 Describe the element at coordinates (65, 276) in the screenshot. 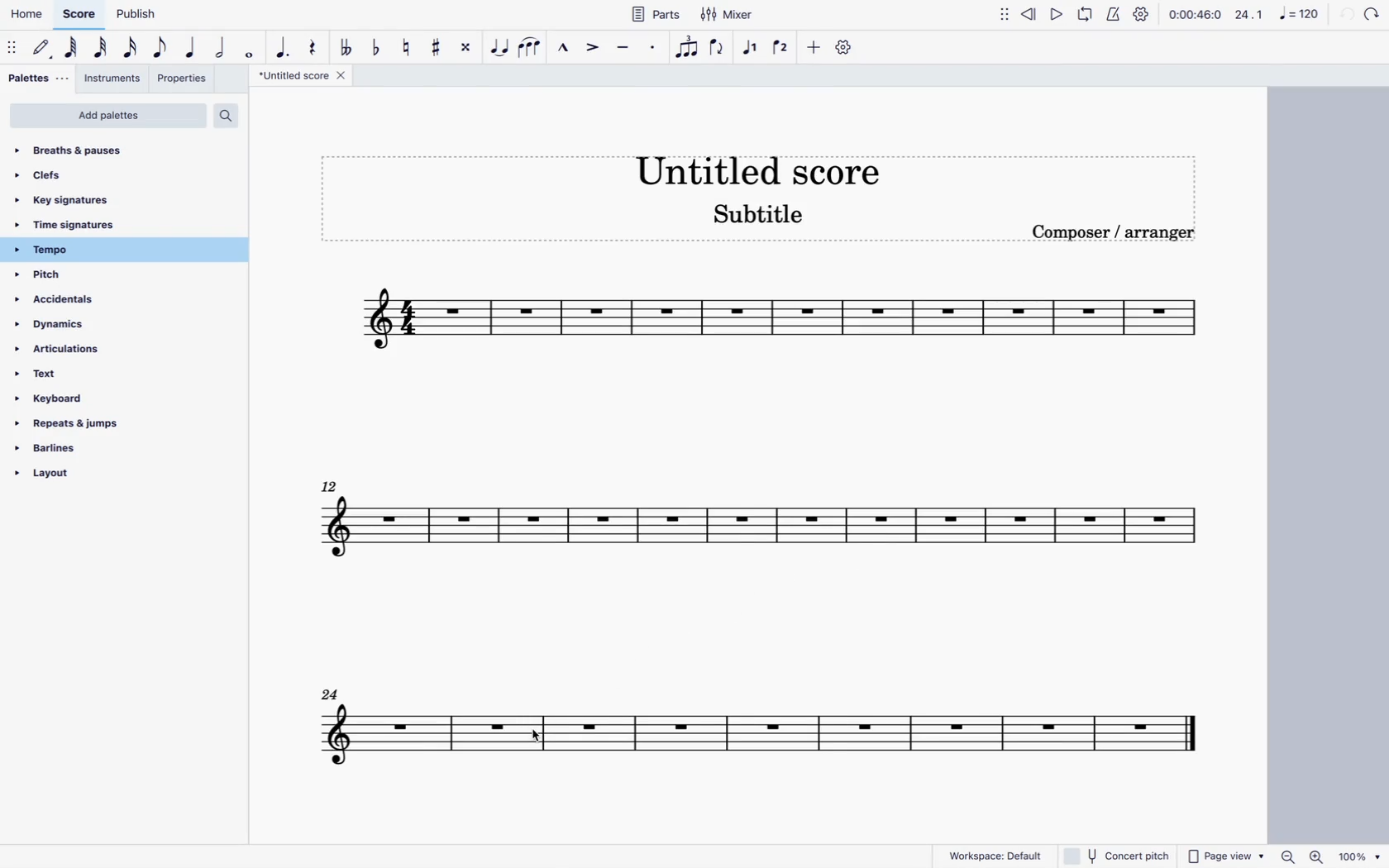

I see `pitch` at that location.